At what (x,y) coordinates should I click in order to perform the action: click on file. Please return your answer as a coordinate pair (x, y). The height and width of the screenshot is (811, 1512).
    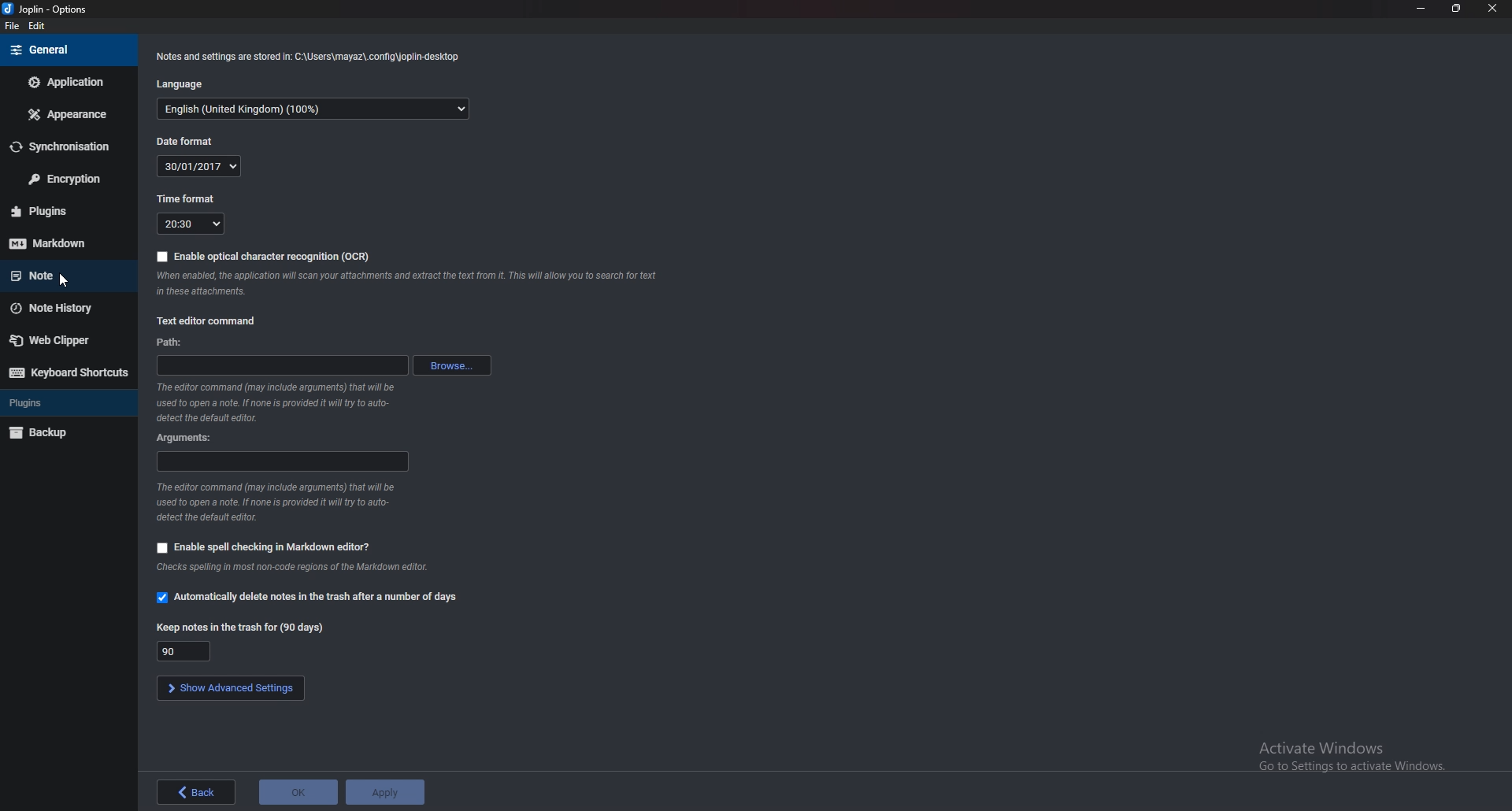
    Looking at the image, I should click on (11, 28).